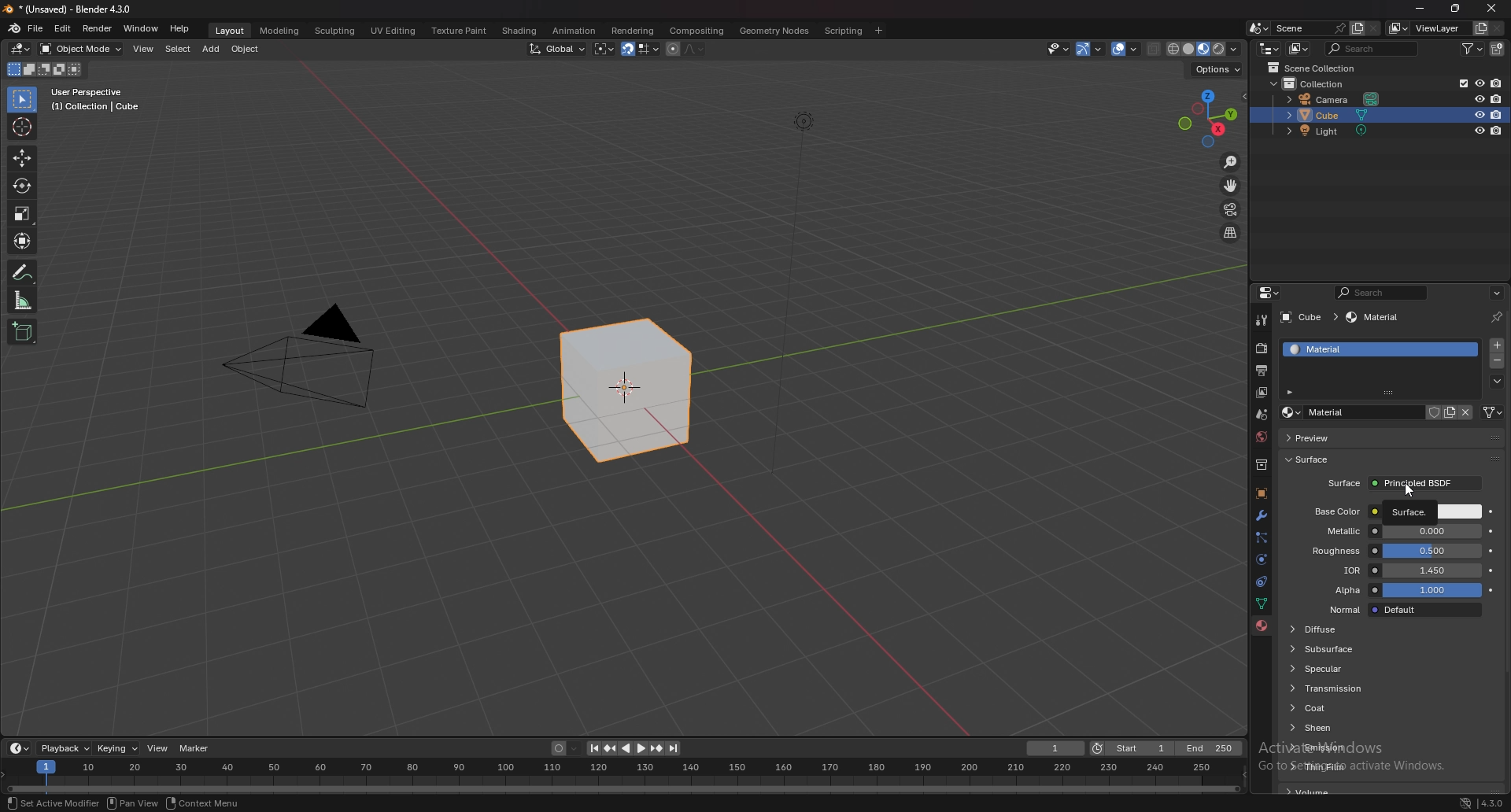  I want to click on tooltip, so click(1394, 511).